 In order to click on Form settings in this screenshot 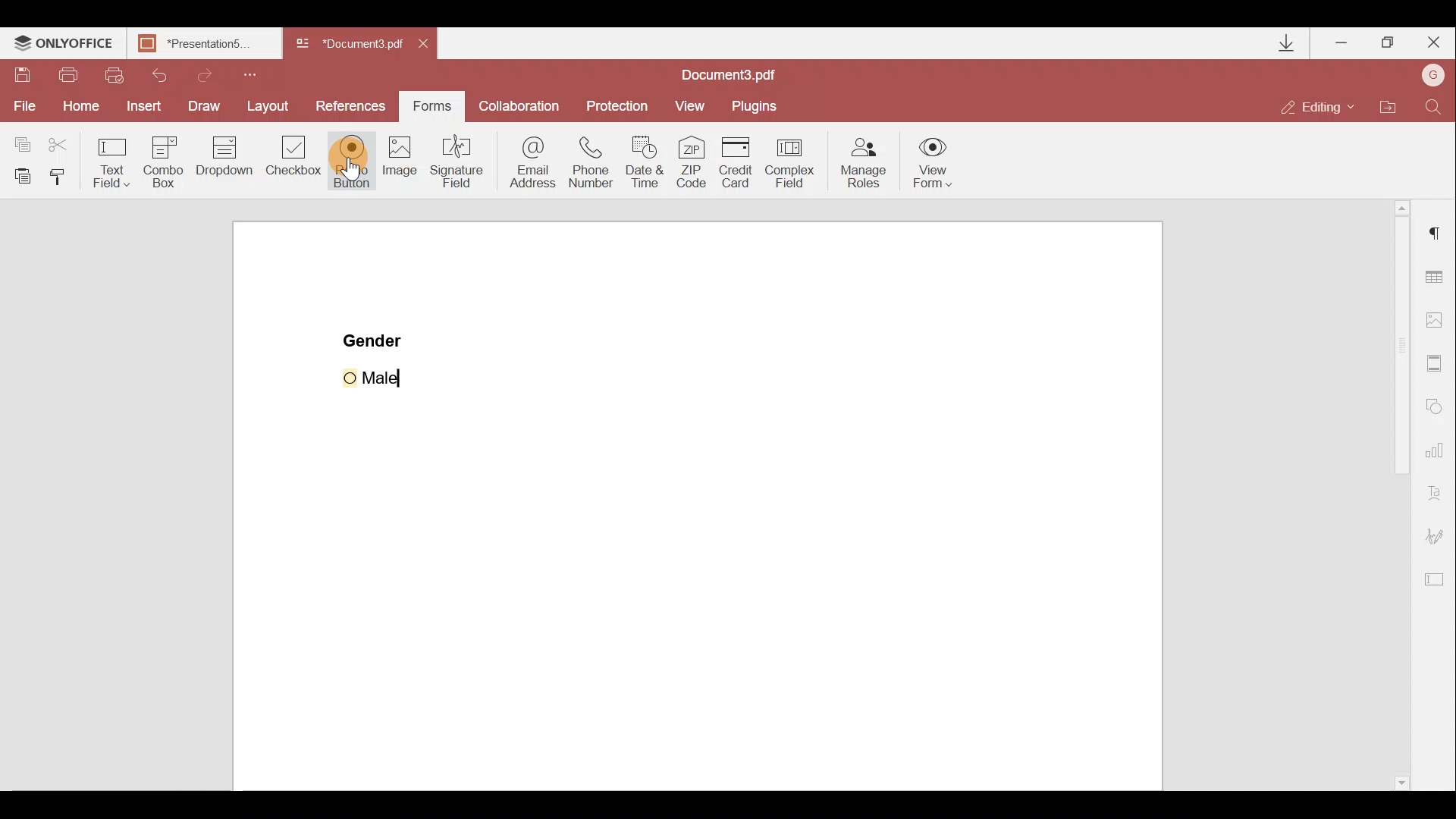, I will do `click(1438, 583)`.